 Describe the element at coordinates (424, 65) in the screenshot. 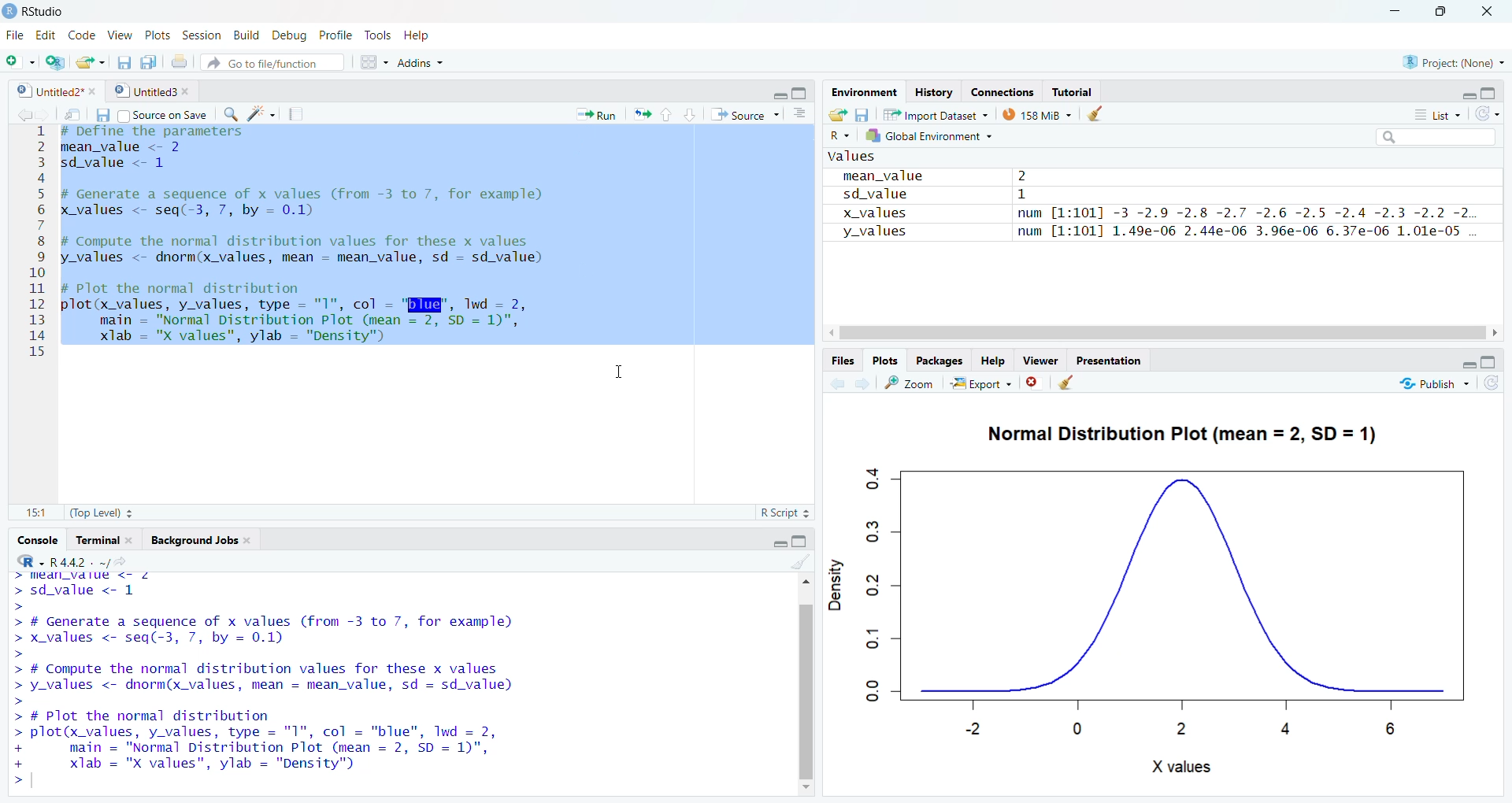

I see `~ Addins ~` at that location.